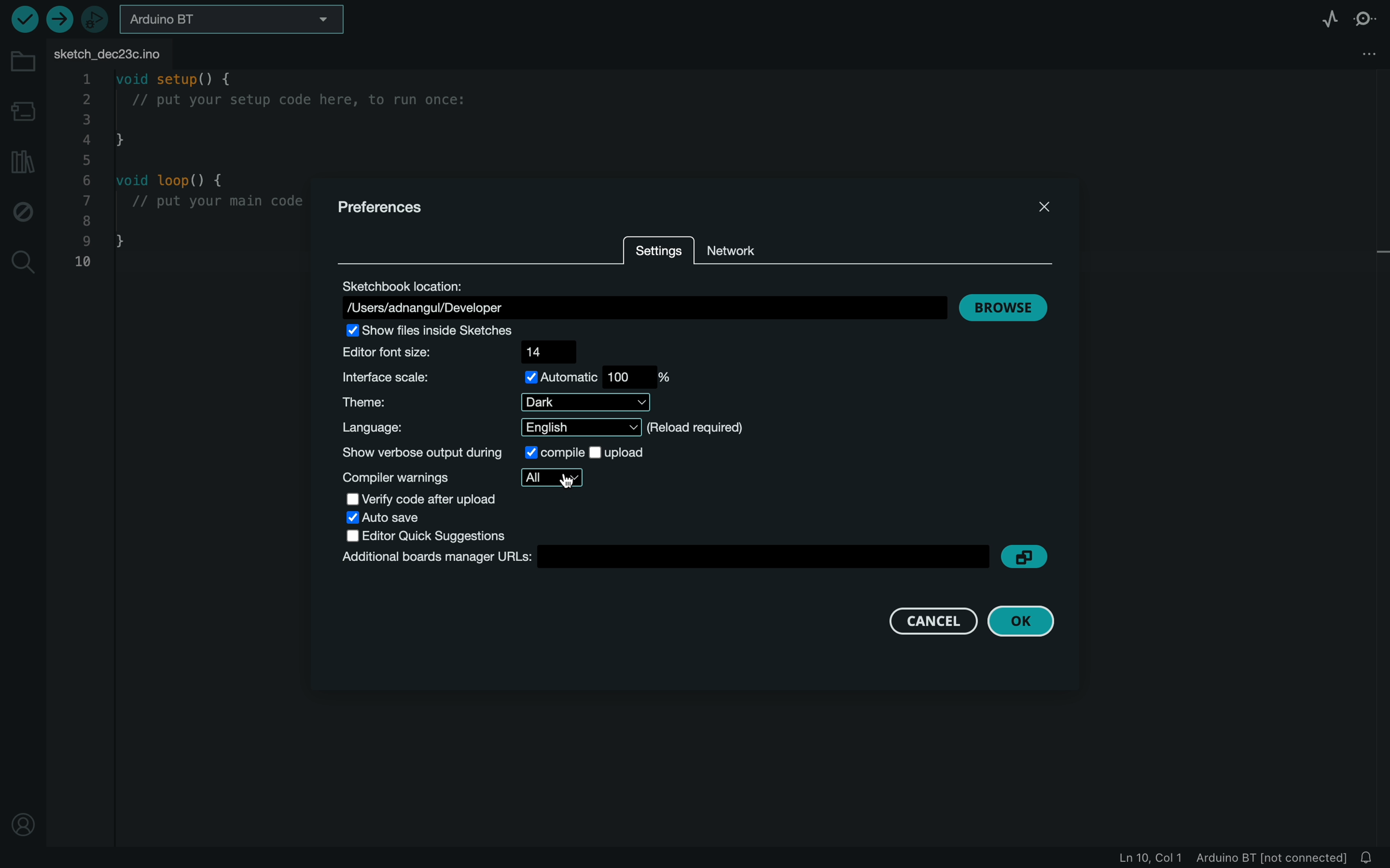 The width and height of the screenshot is (1390, 868). What do you see at coordinates (539, 427) in the screenshot?
I see `language` at bounding box center [539, 427].